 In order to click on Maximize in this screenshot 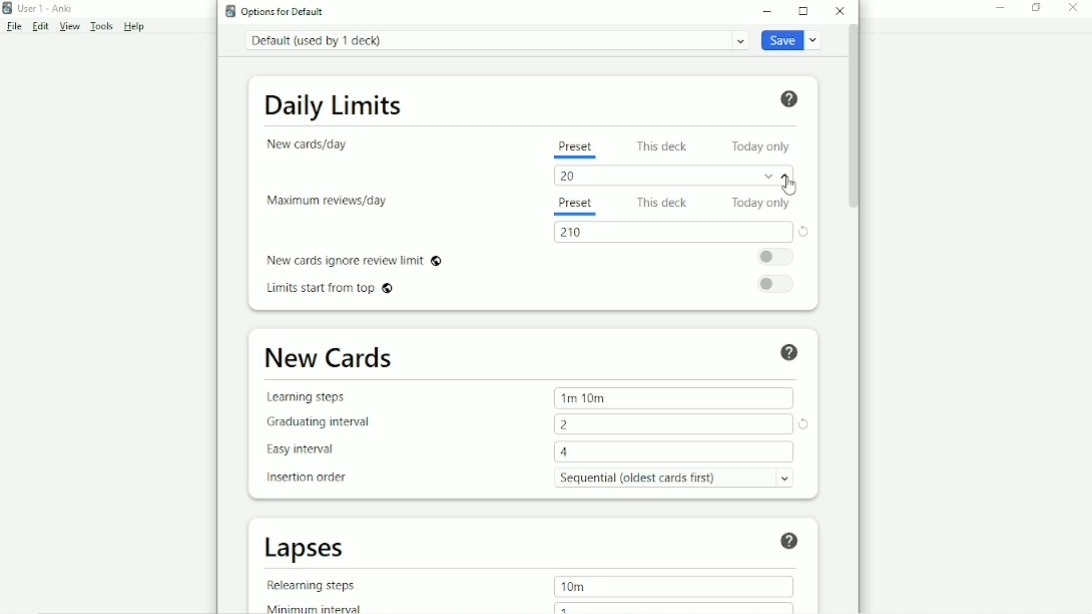, I will do `click(803, 12)`.